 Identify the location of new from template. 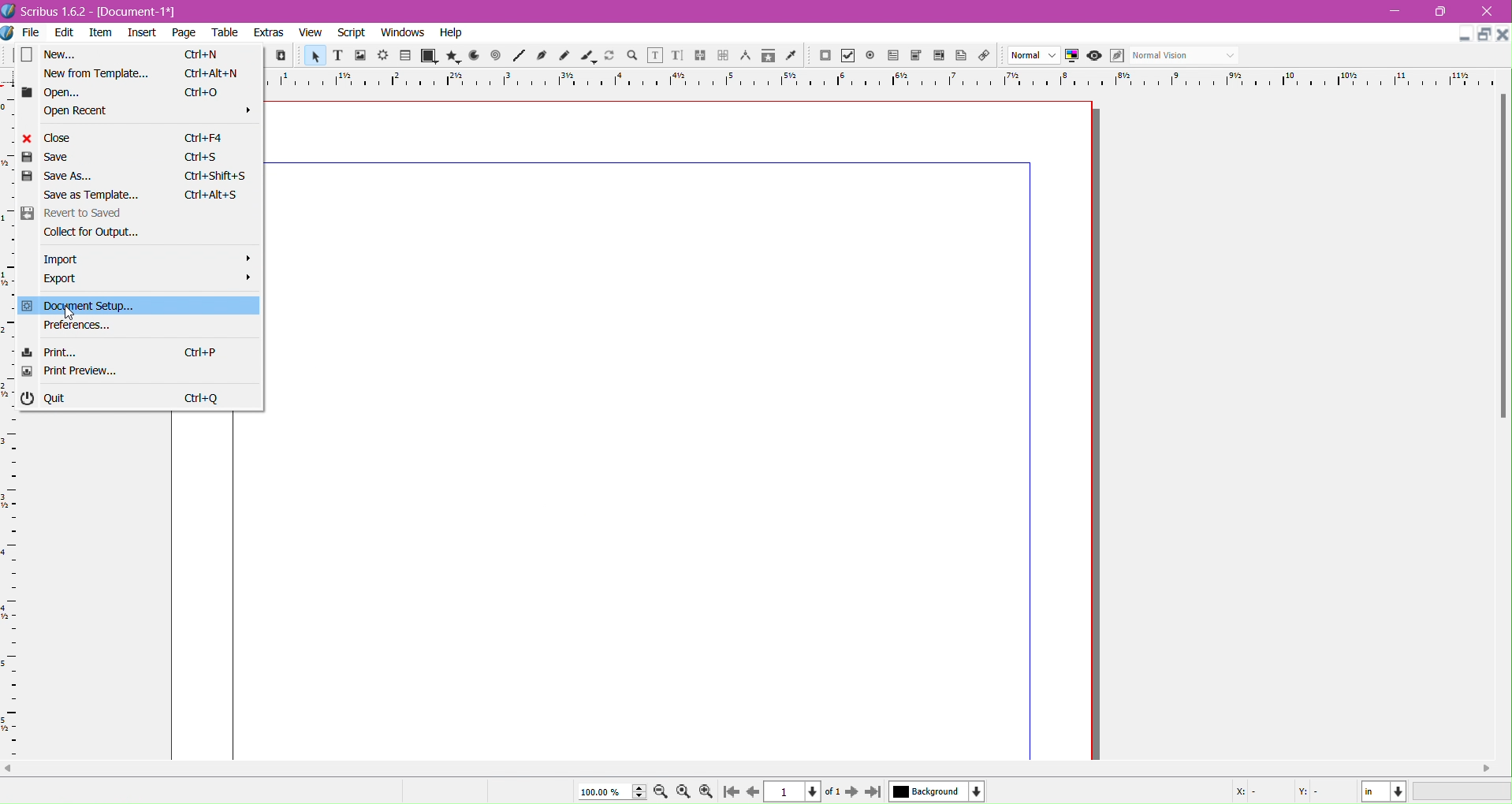
(98, 74).